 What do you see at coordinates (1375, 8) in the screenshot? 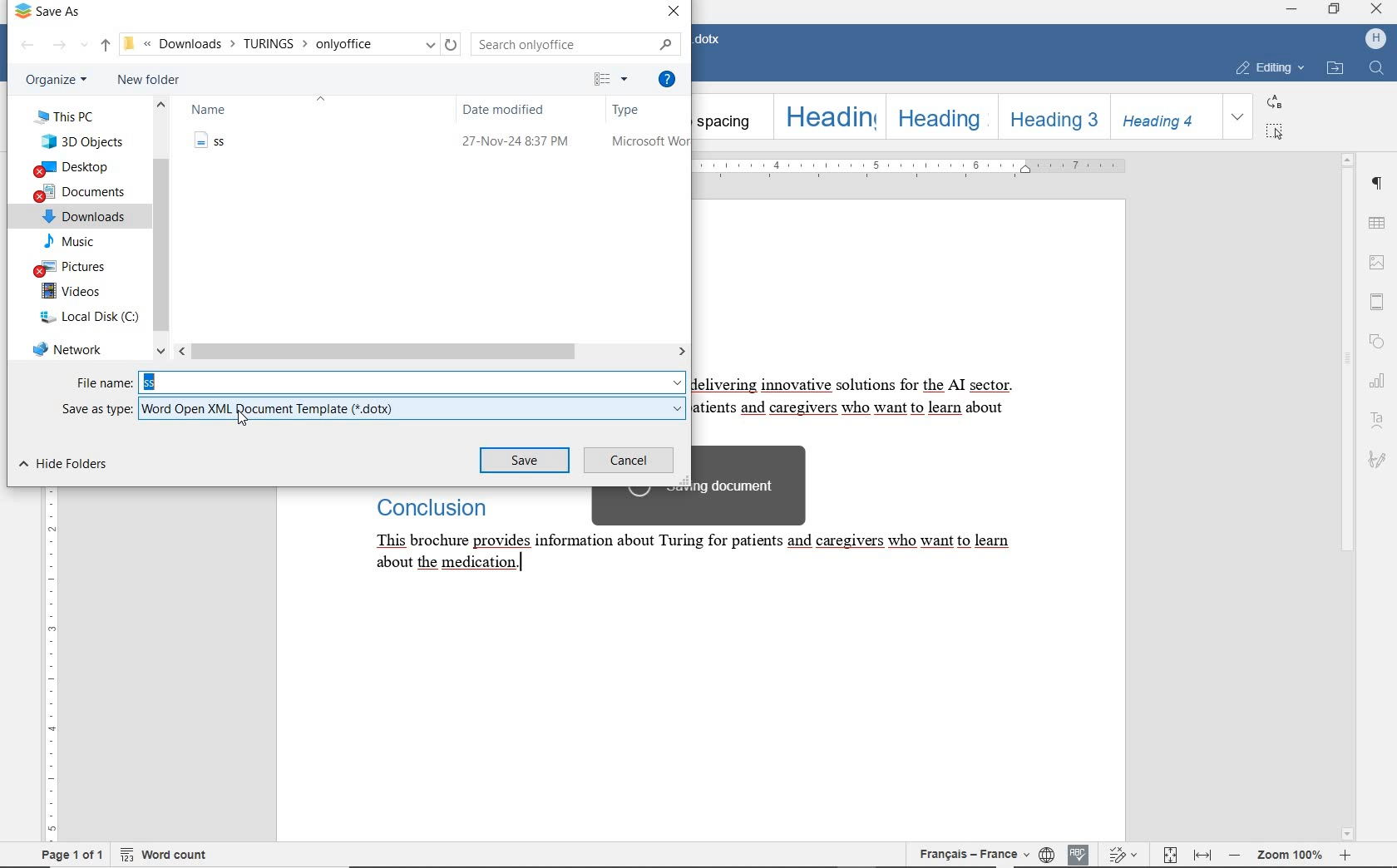
I see `close` at bounding box center [1375, 8].